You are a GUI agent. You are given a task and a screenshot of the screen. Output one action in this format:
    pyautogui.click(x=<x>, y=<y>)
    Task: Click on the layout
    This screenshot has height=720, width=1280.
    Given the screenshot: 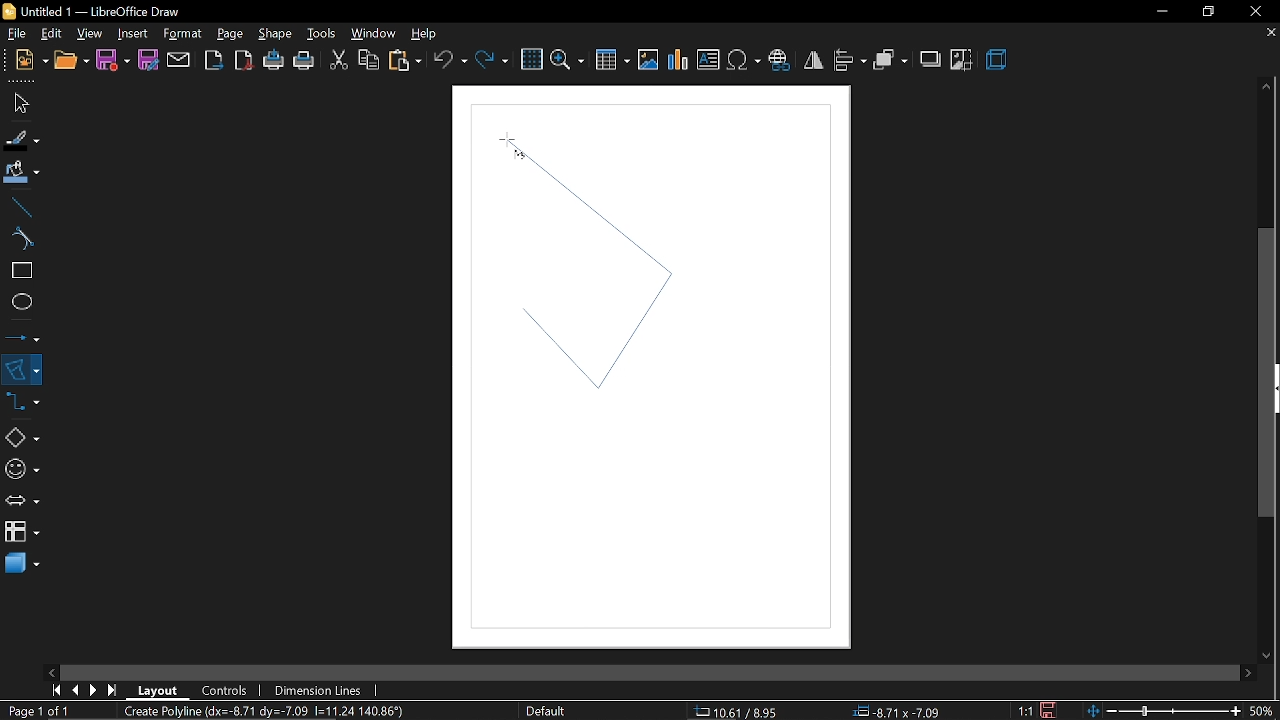 What is the action you would take?
    pyautogui.click(x=158, y=689)
    